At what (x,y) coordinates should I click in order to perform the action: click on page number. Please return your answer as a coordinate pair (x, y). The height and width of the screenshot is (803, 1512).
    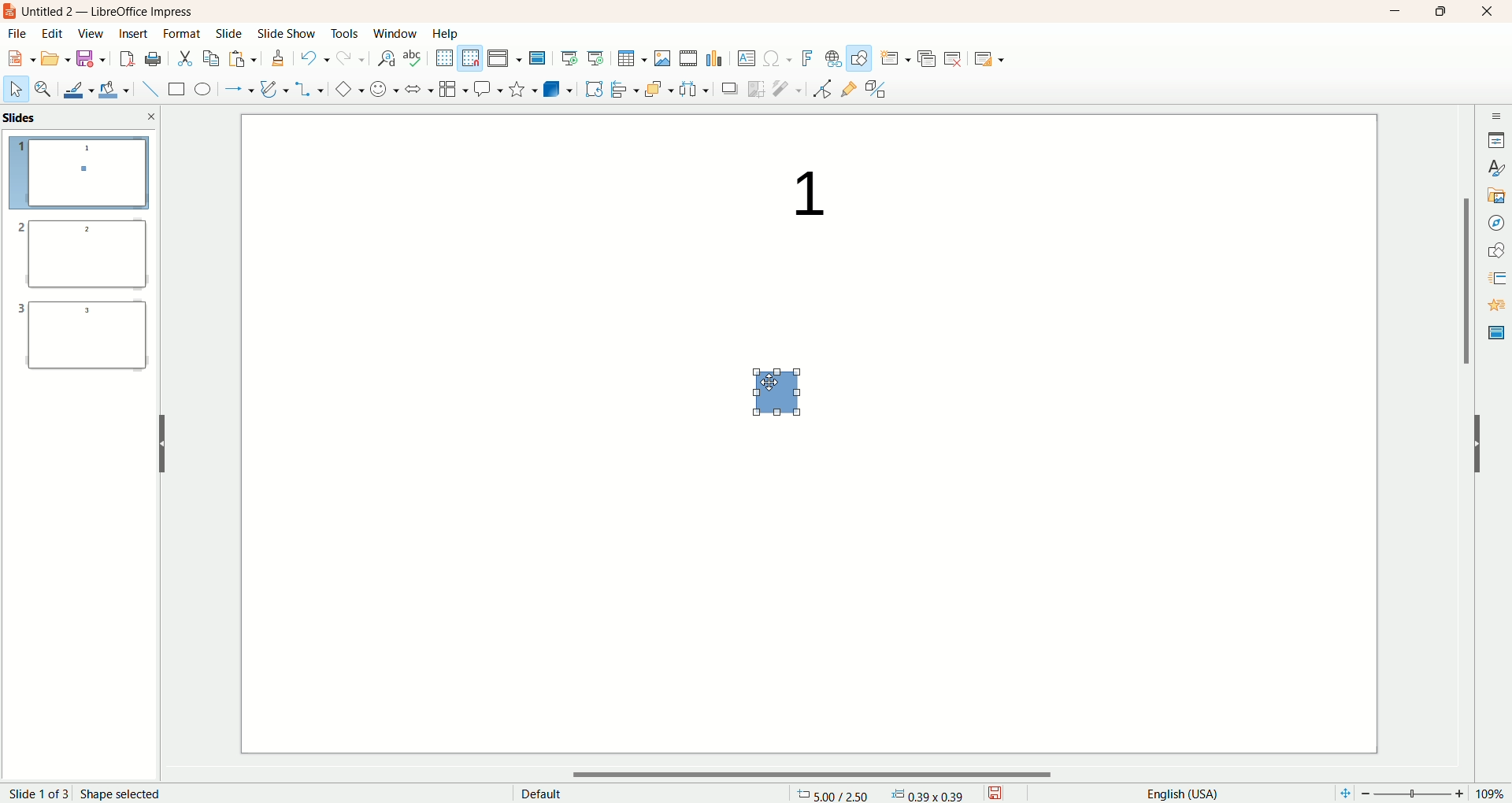
    Looking at the image, I should click on (37, 793).